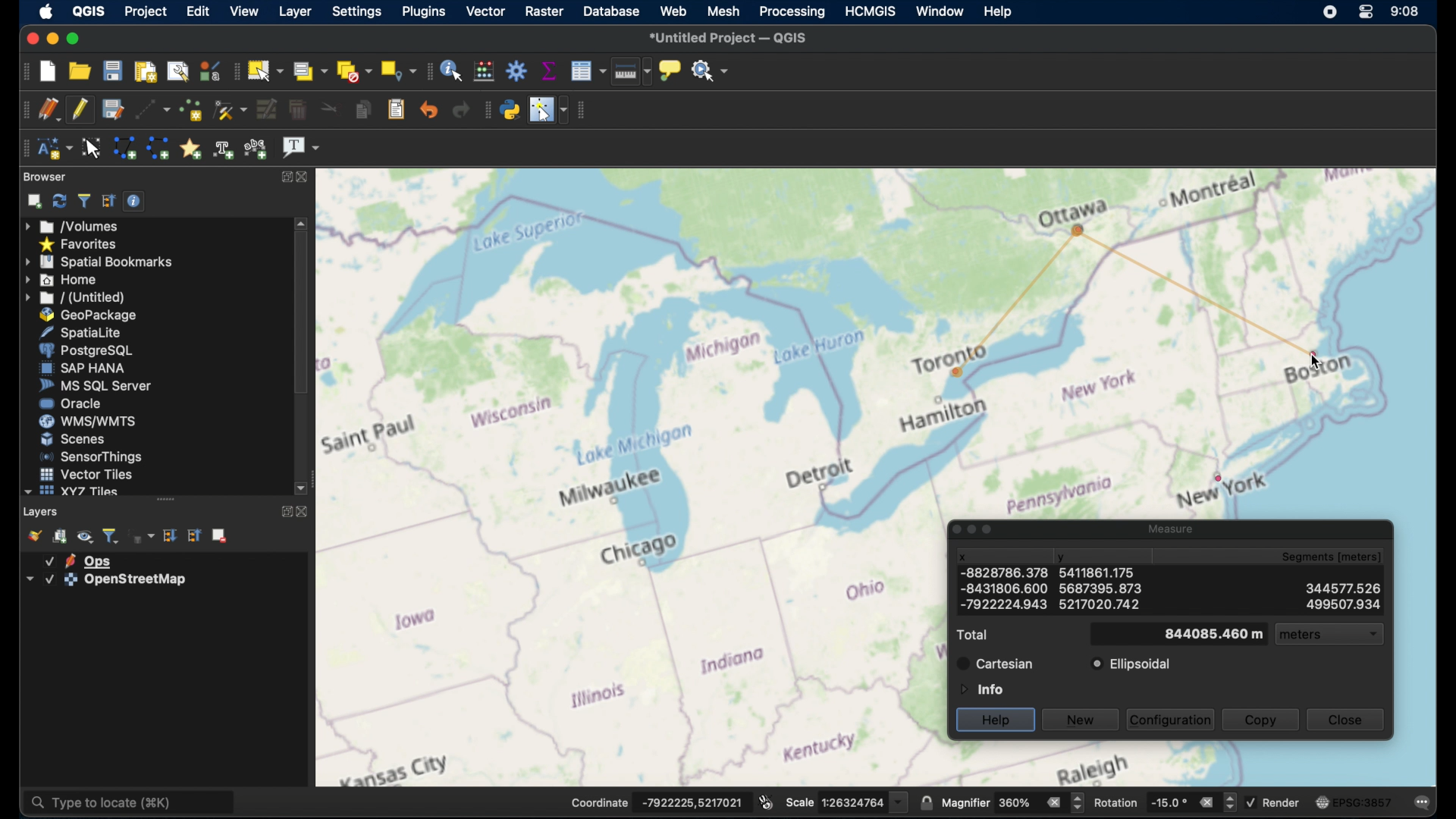  Describe the element at coordinates (171, 535) in the screenshot. I see `expand all` at that location.